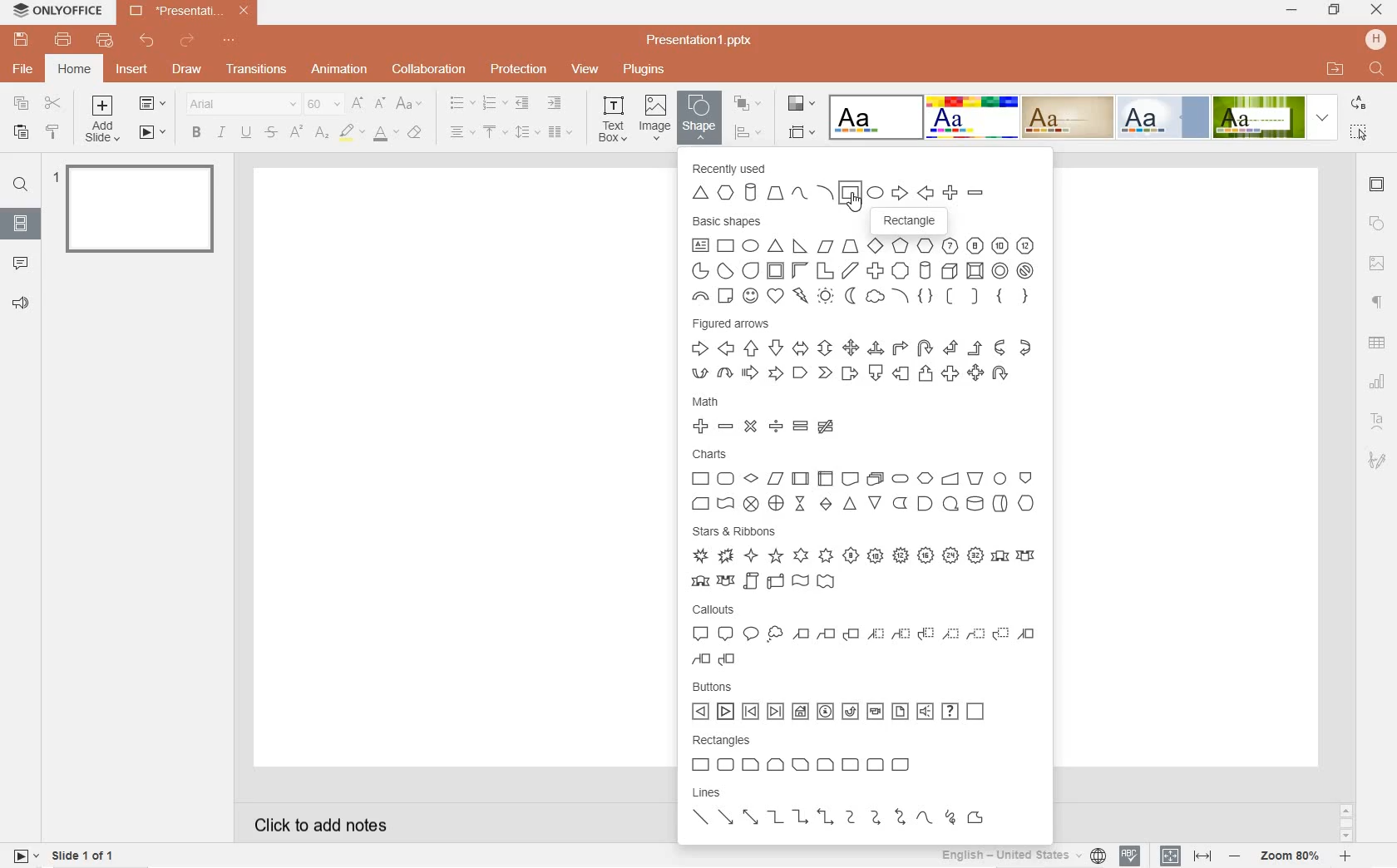  I want to click on Official, so click(1163, 117).